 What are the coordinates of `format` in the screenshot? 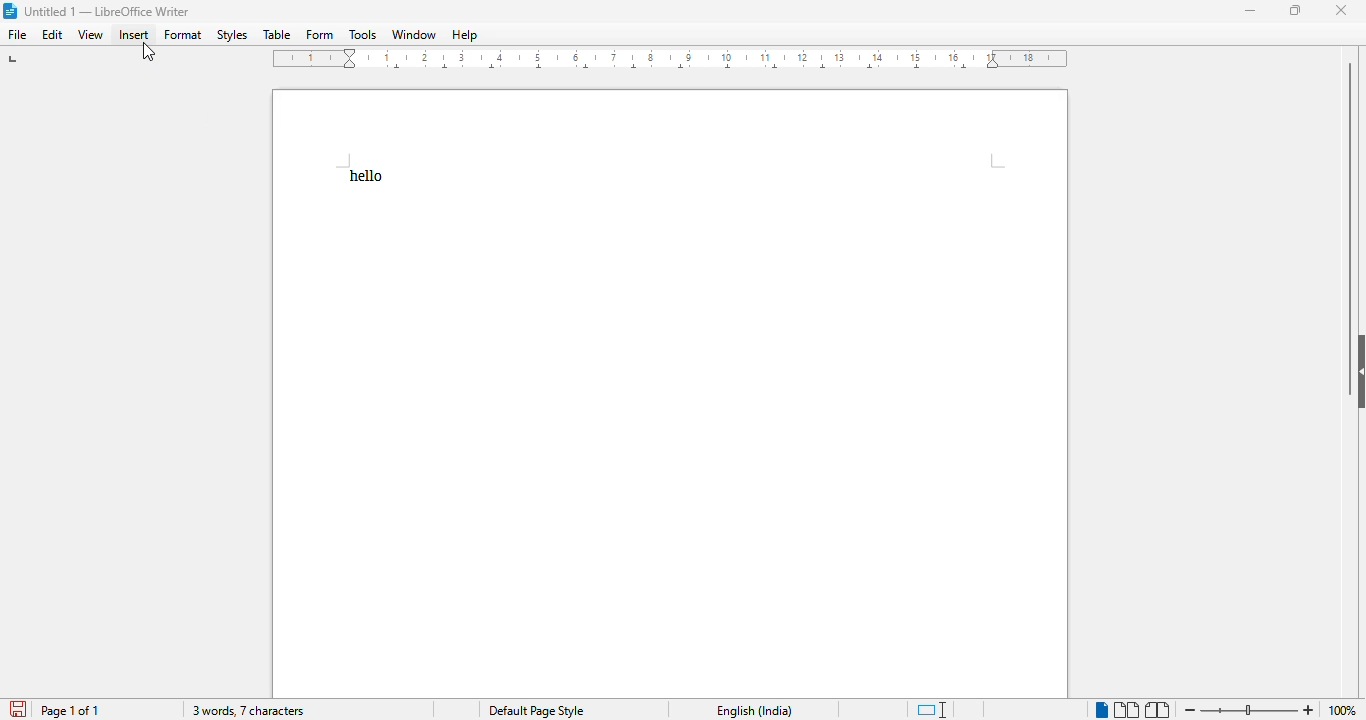 It's located at (184, 35).